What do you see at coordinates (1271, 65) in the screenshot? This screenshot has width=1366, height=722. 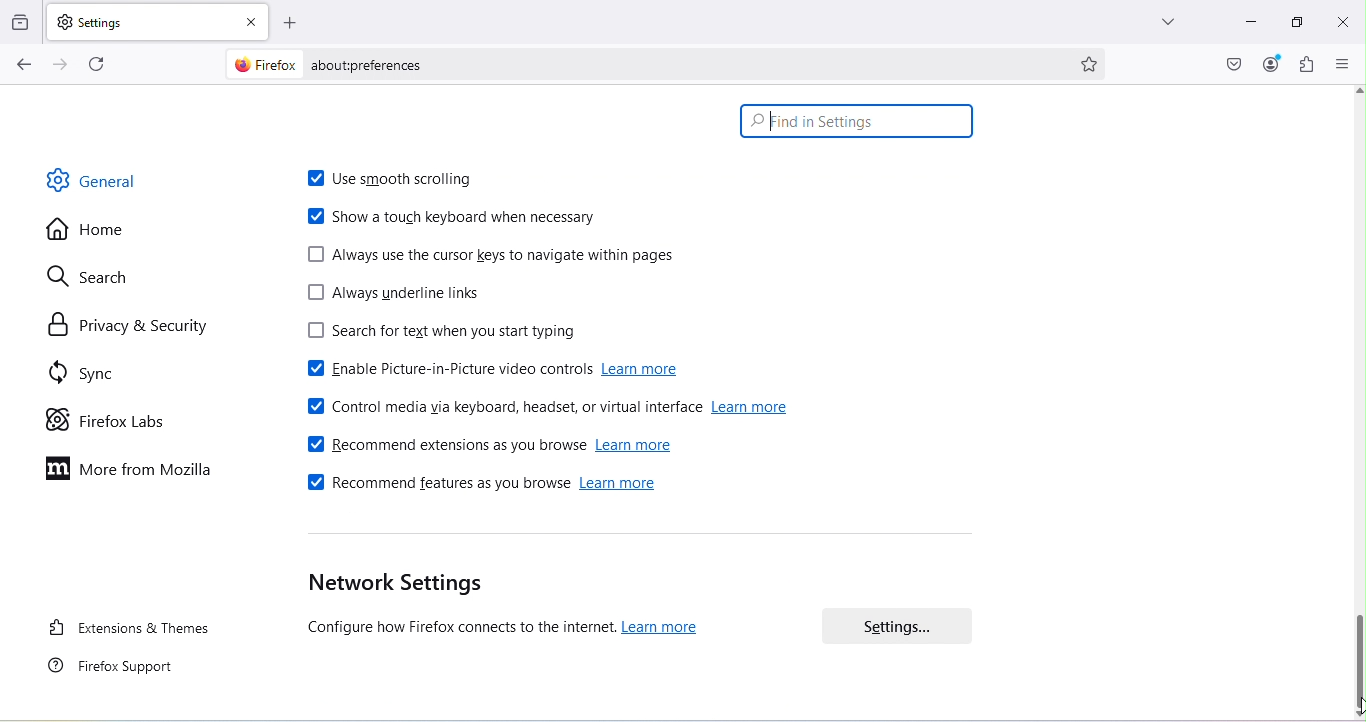 I see `Account` at bounding box center [1271, 65].